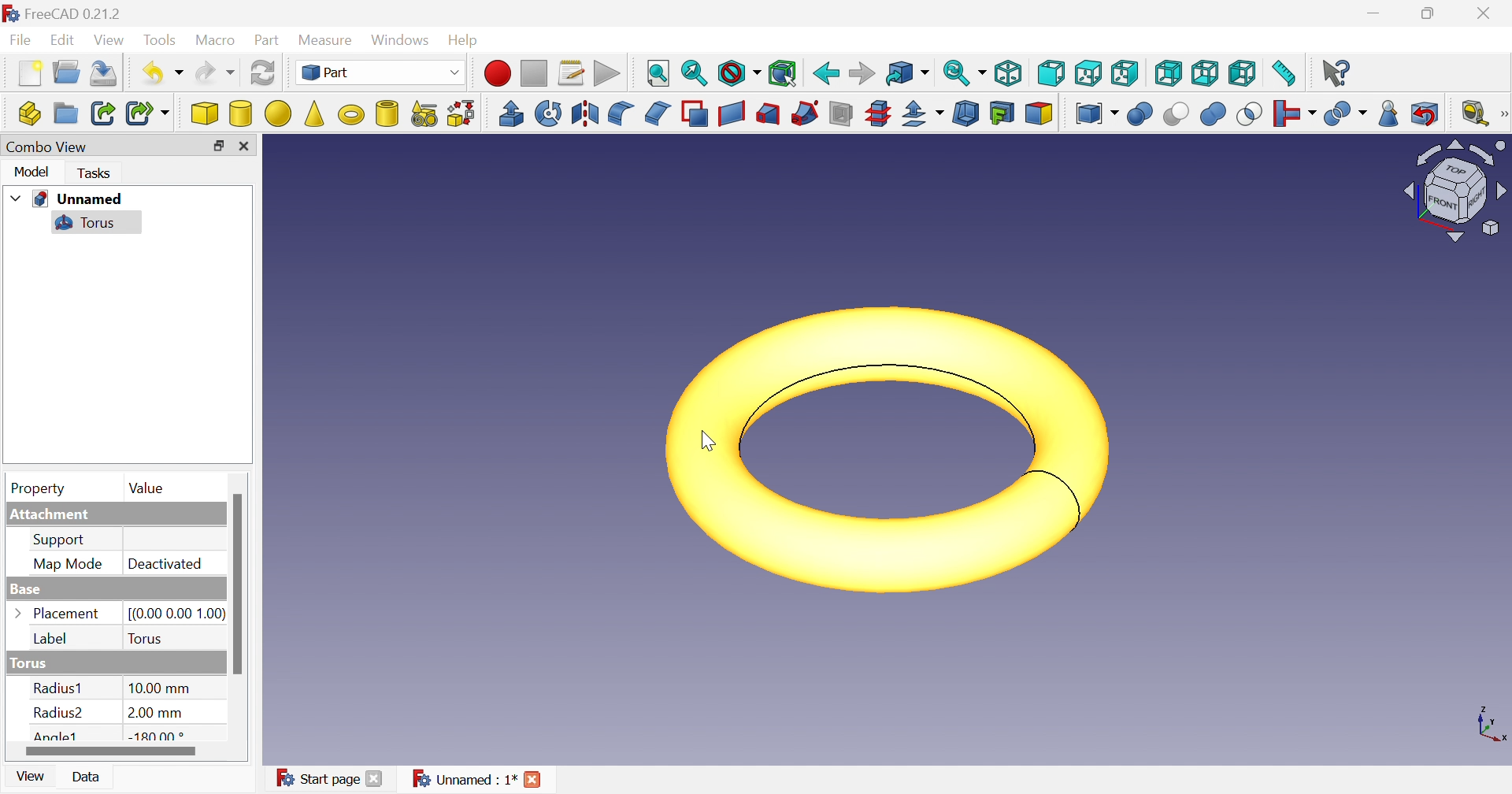 The image size is (1512, 794). I want to click on Create part, so click(30, 114).